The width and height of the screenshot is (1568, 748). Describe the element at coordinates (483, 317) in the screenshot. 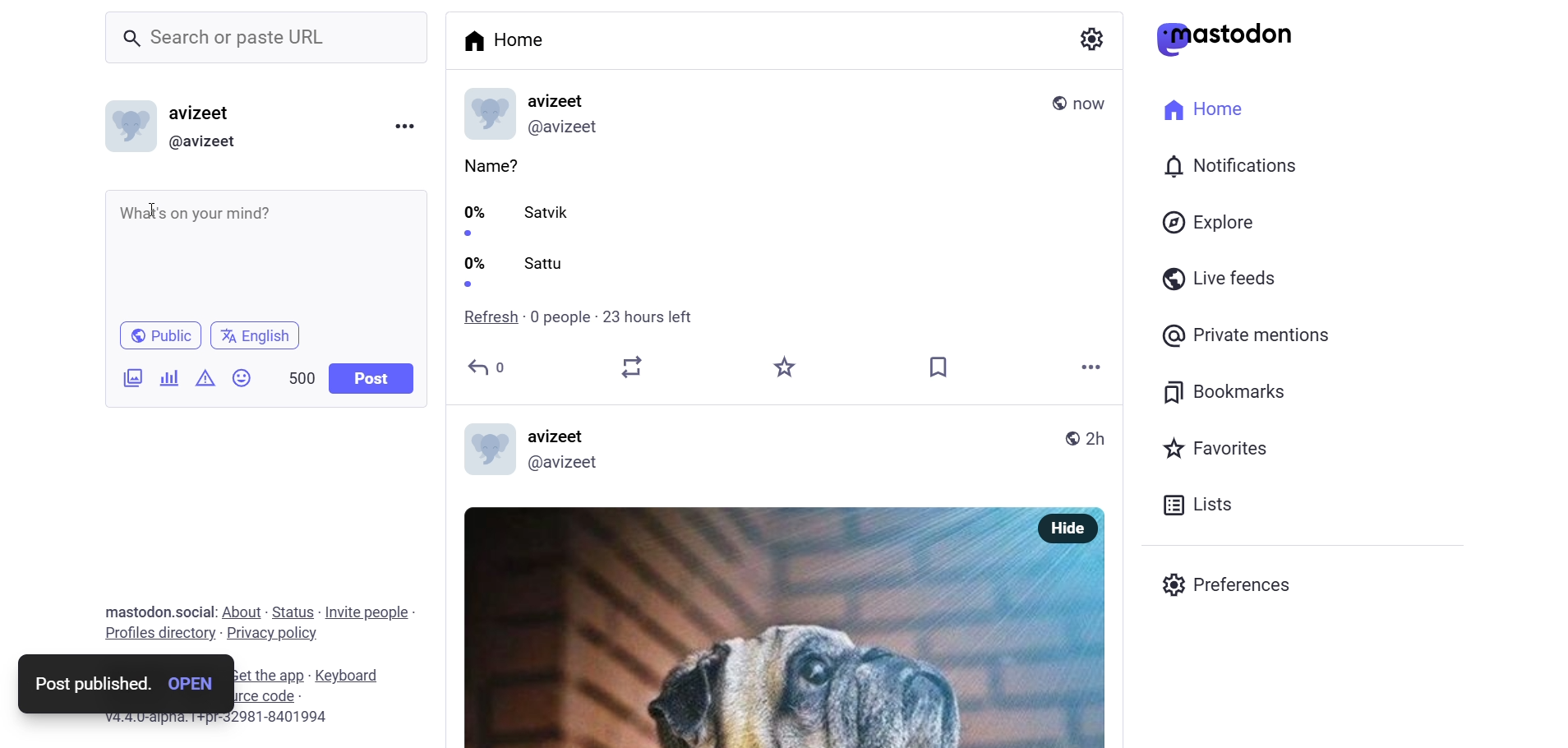

I see `refresh` at that location.